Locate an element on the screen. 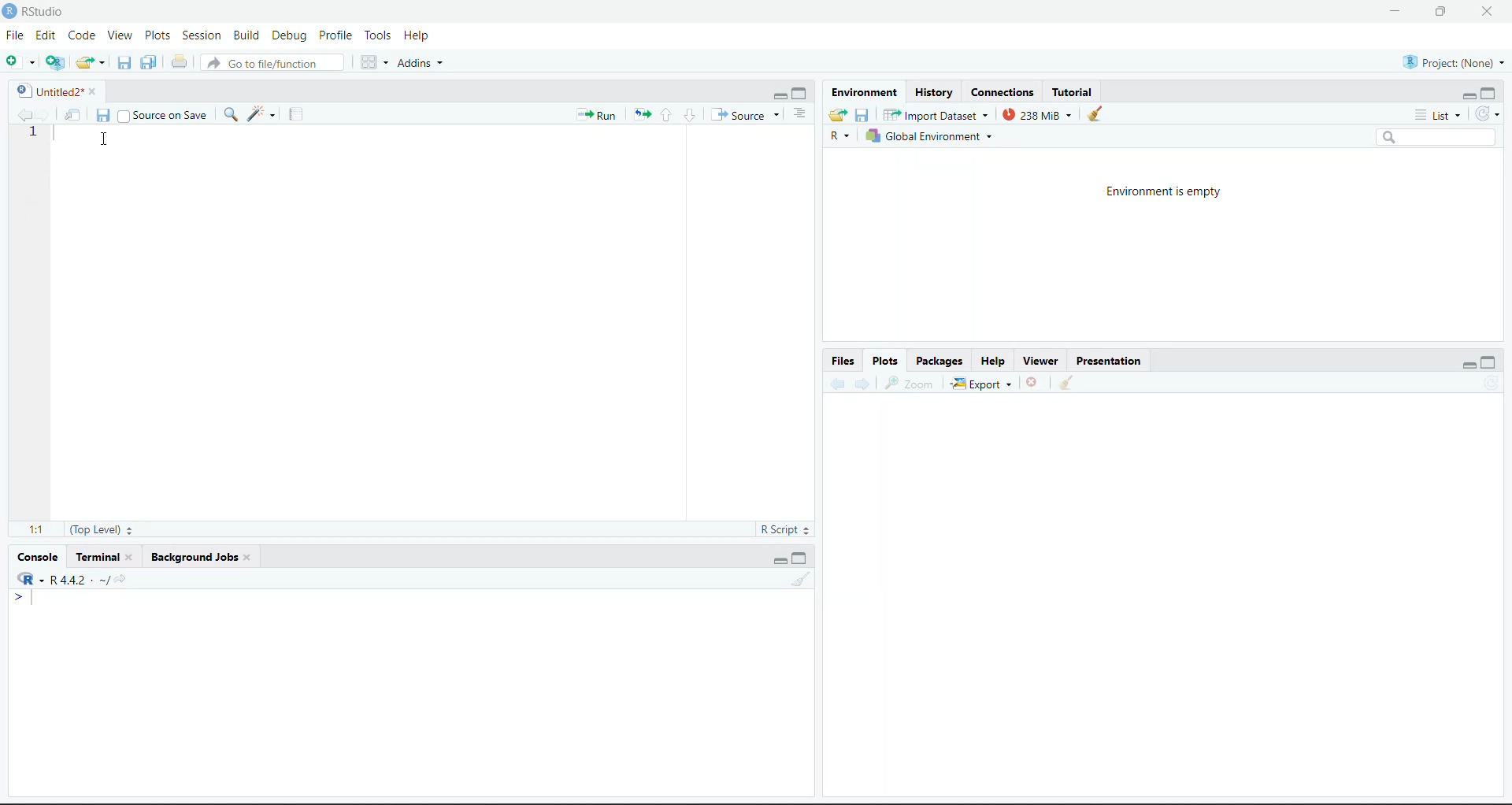  Top Level is located at coordinates (102, 529).